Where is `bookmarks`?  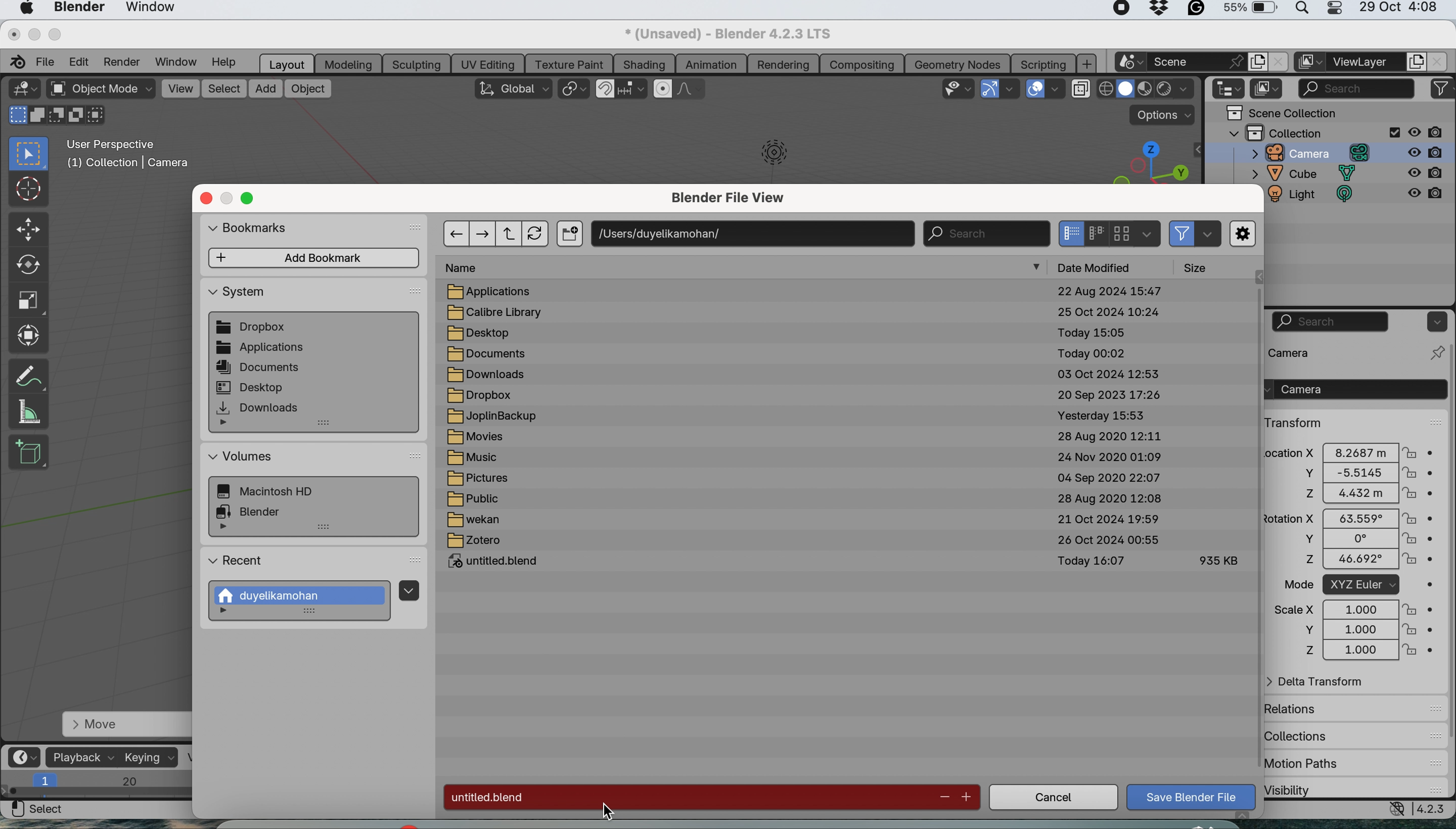 bookmarks is located at coordinates (256, 230).